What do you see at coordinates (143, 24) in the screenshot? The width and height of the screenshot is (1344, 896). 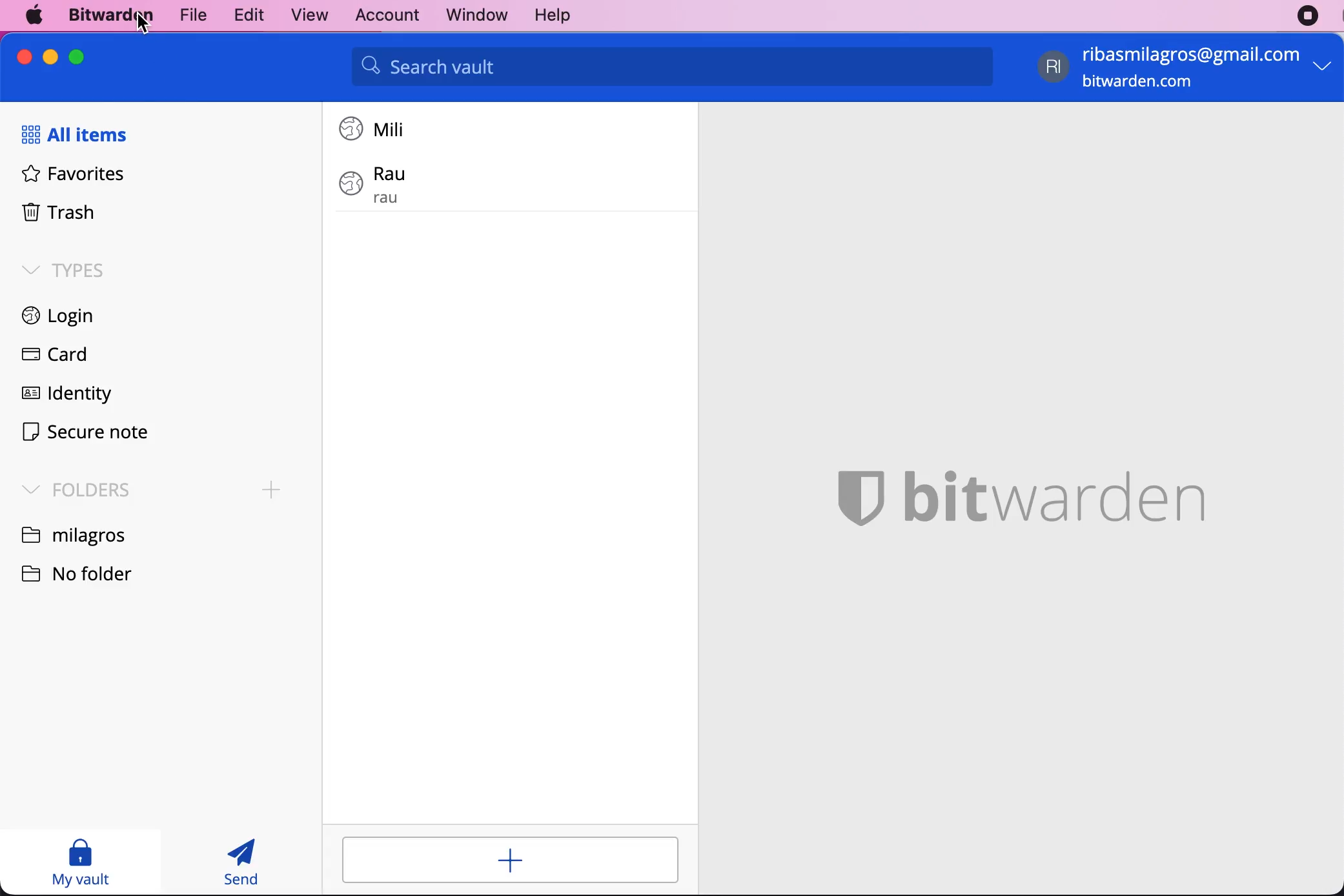 I see `Cursor` at bounding box center [143, 24].